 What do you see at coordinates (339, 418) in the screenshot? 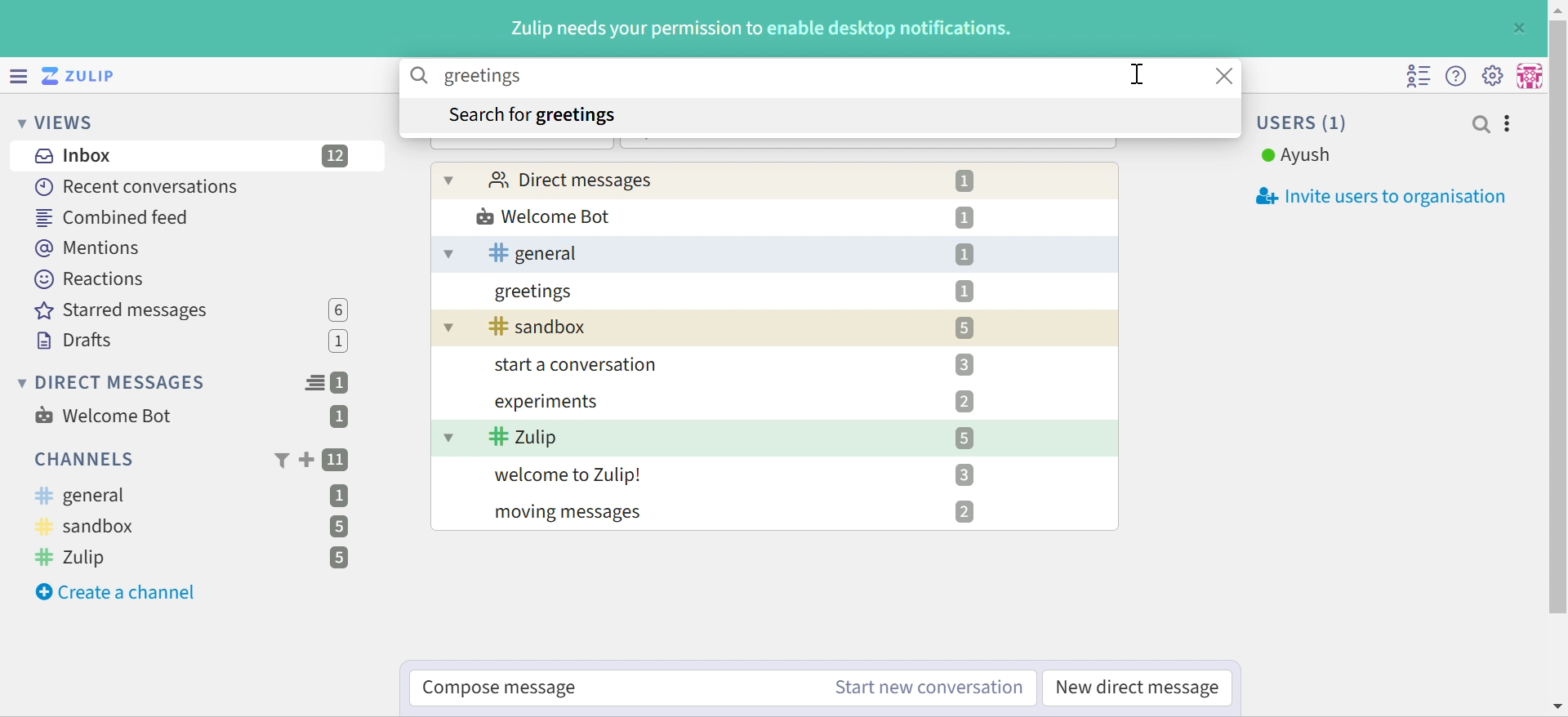
I see `1` at bounding box center [339, 418].